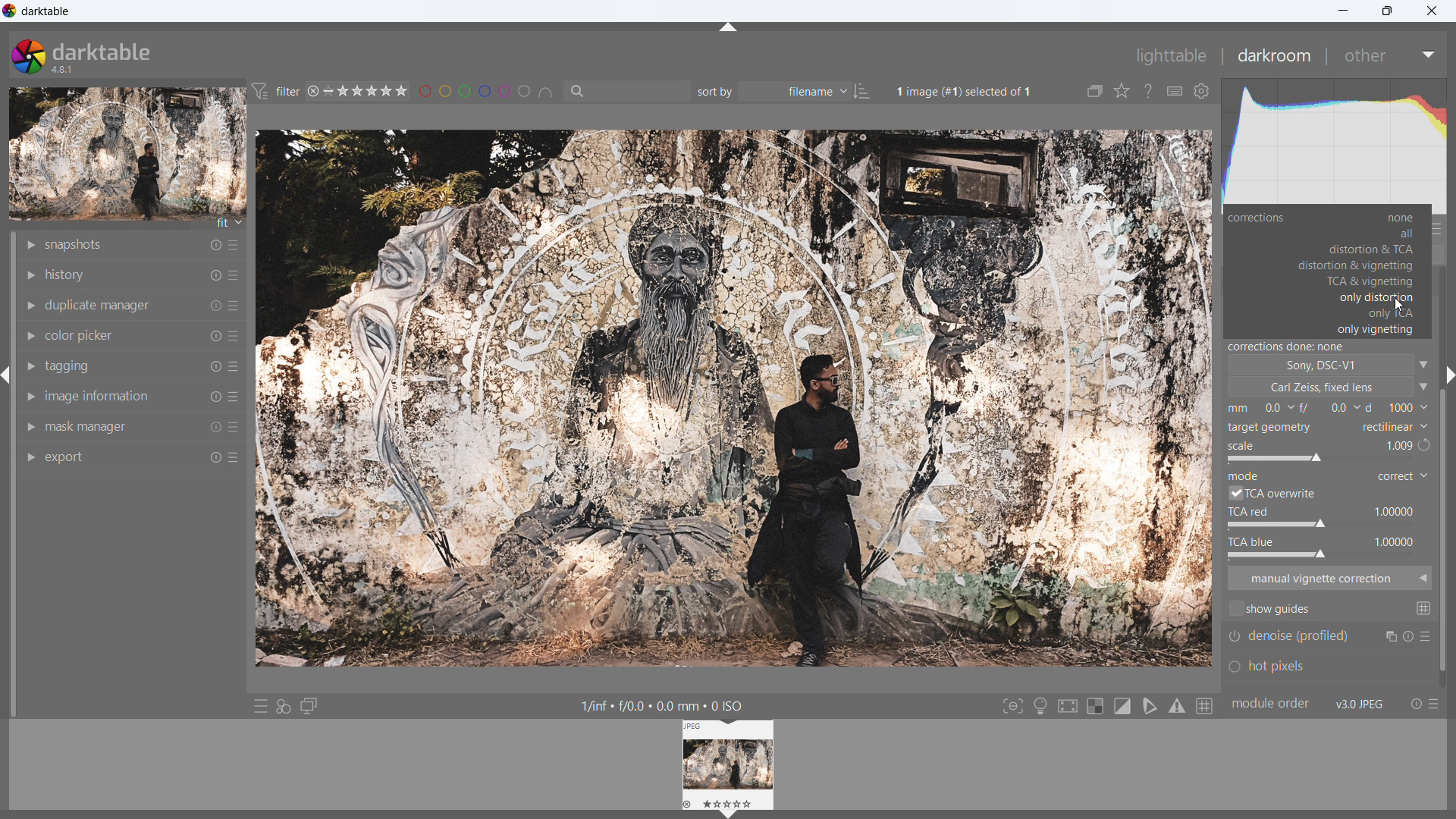 The image size is (1456, 819). Describe the element at coordinates (1178, 707) in the screenshot. I see `toggle gamut checking` at that location.